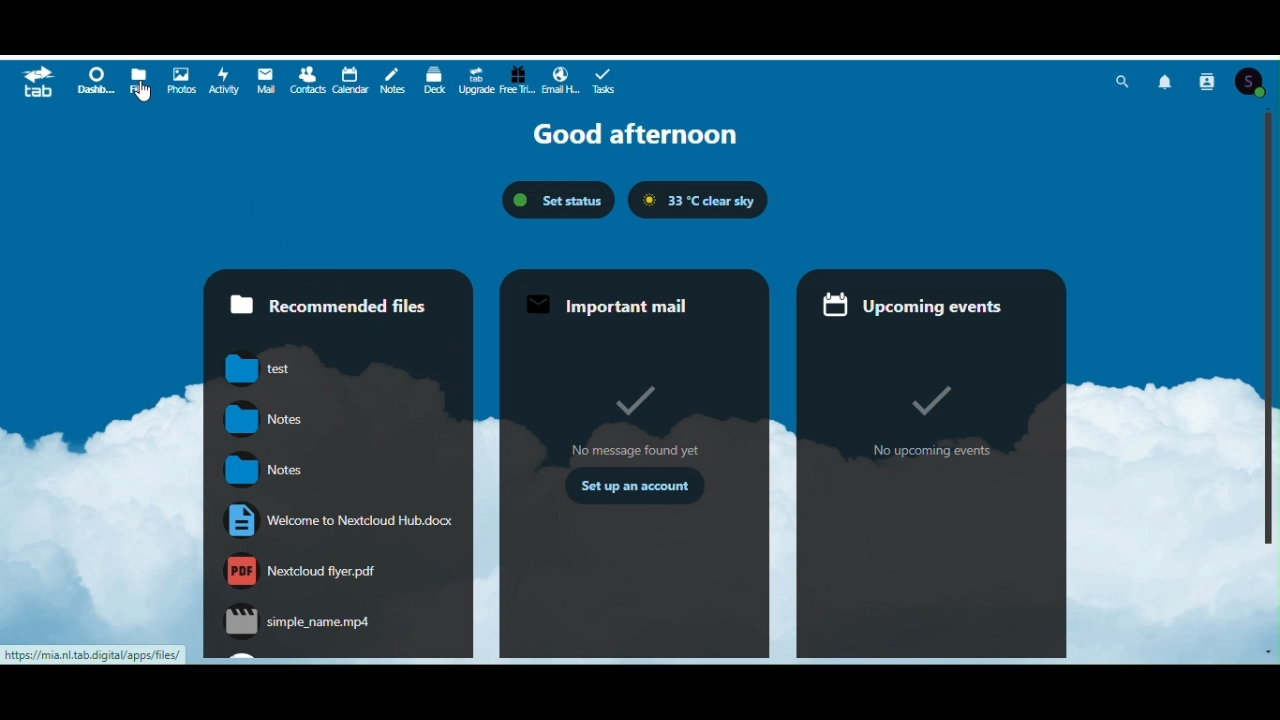 The height and width of the screenshot is (720, 1280). Describe the element at coordinates (604, 78) in the screenshot. I see `Task ` at that location.